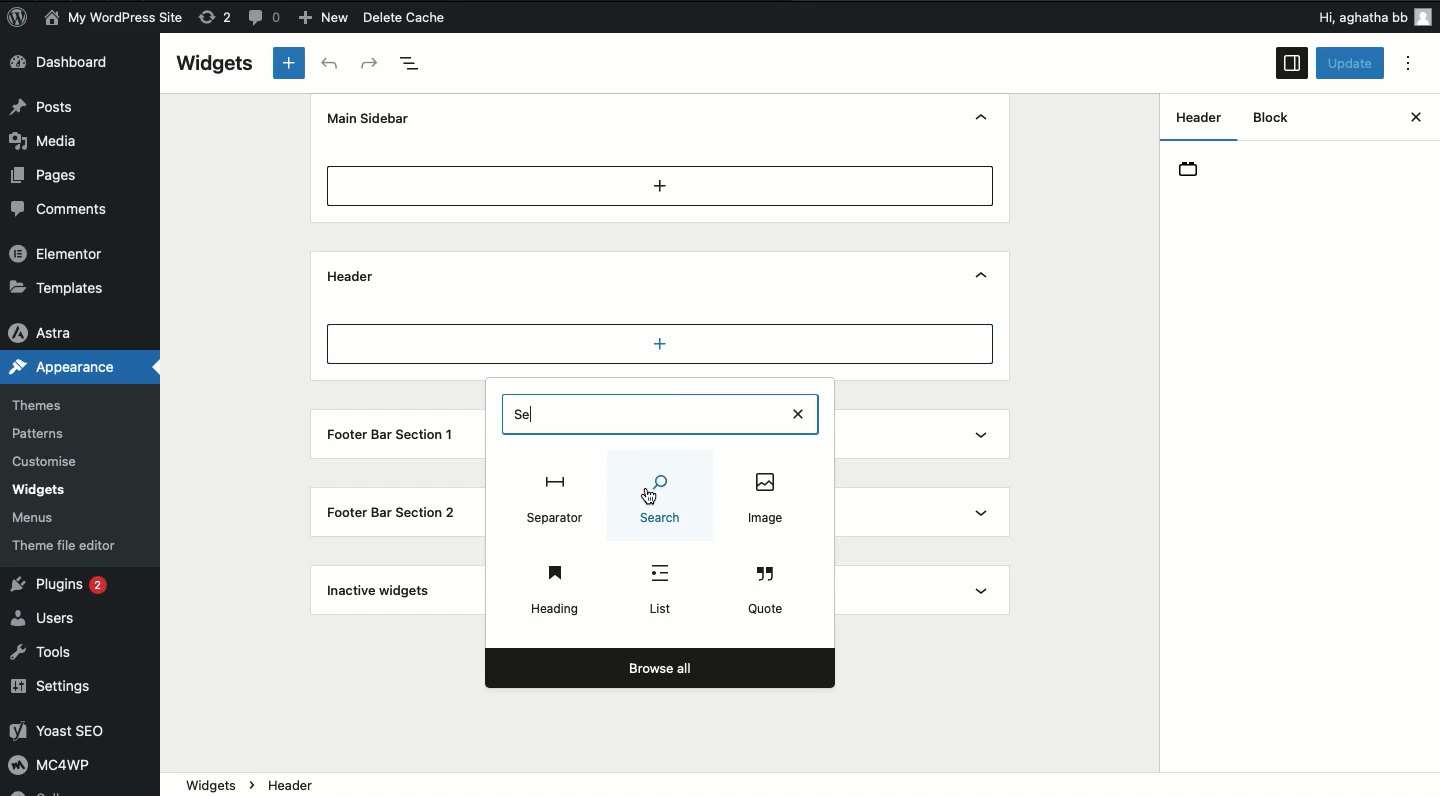 This screenshot has height=796, width=1440. I want to click on Latest posts, so click(764, 499).